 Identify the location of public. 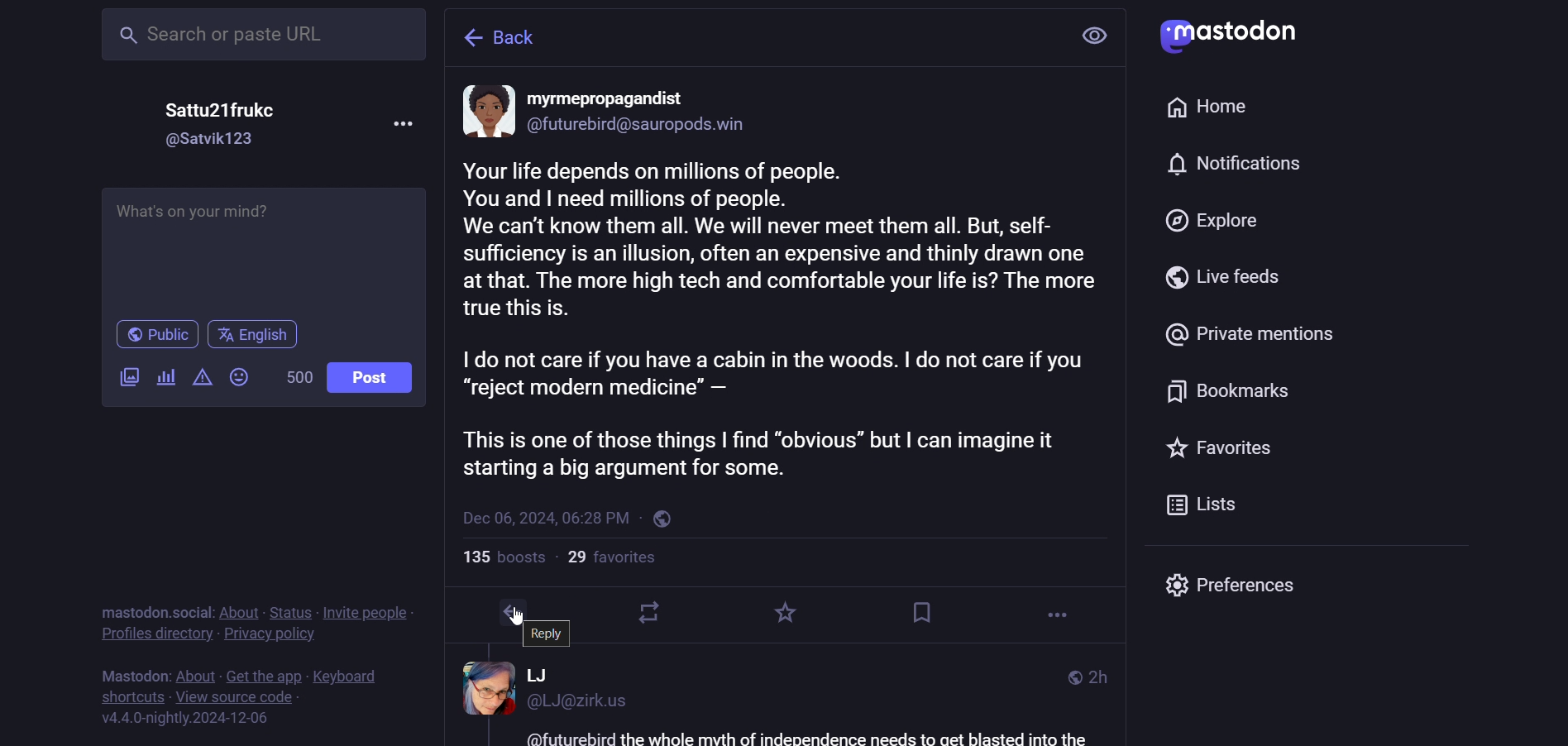
(666, 521).